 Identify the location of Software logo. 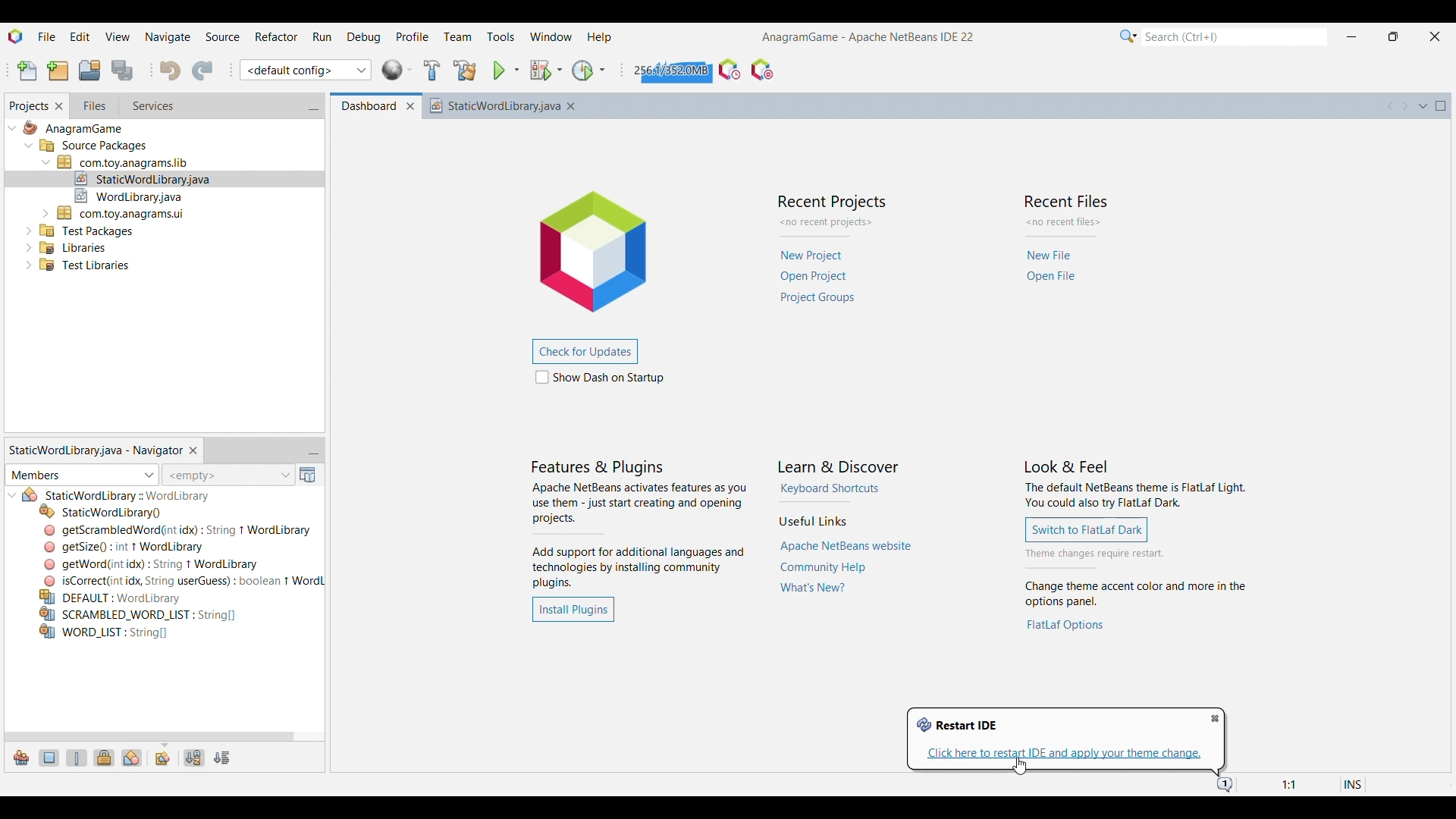
(16, 36).